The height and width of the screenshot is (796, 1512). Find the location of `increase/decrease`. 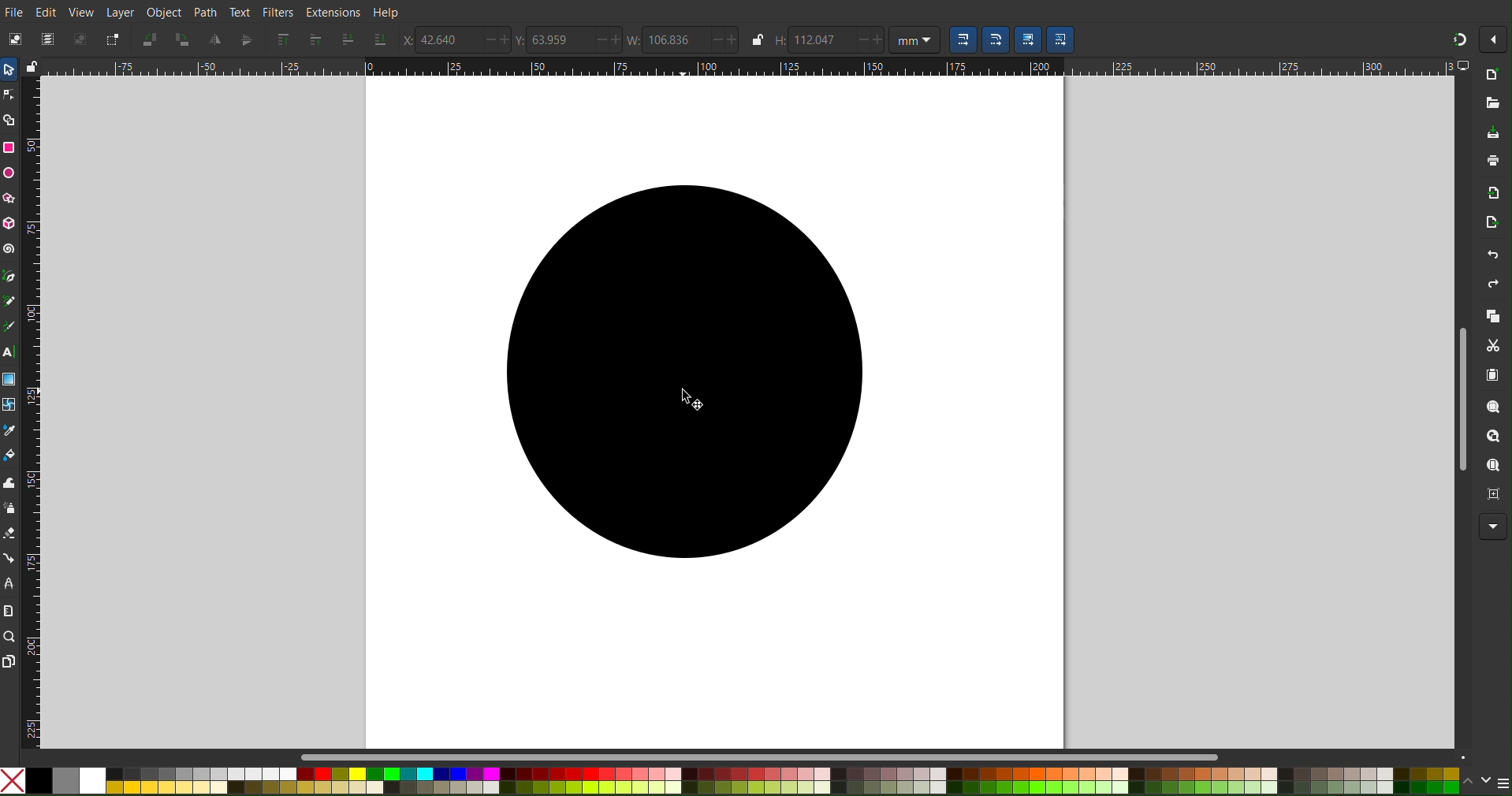

increase/decrease is located at coordinates (497, 39).